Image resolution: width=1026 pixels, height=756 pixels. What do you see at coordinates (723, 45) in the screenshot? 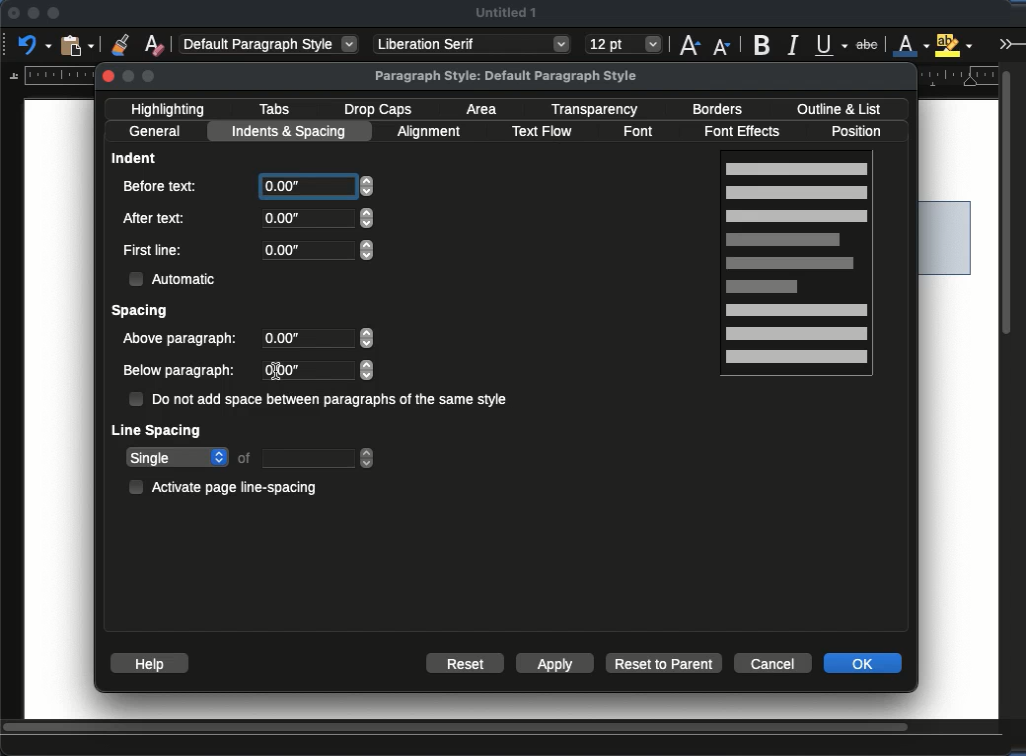
I see `decrease size` at bounding box center [723, 45].